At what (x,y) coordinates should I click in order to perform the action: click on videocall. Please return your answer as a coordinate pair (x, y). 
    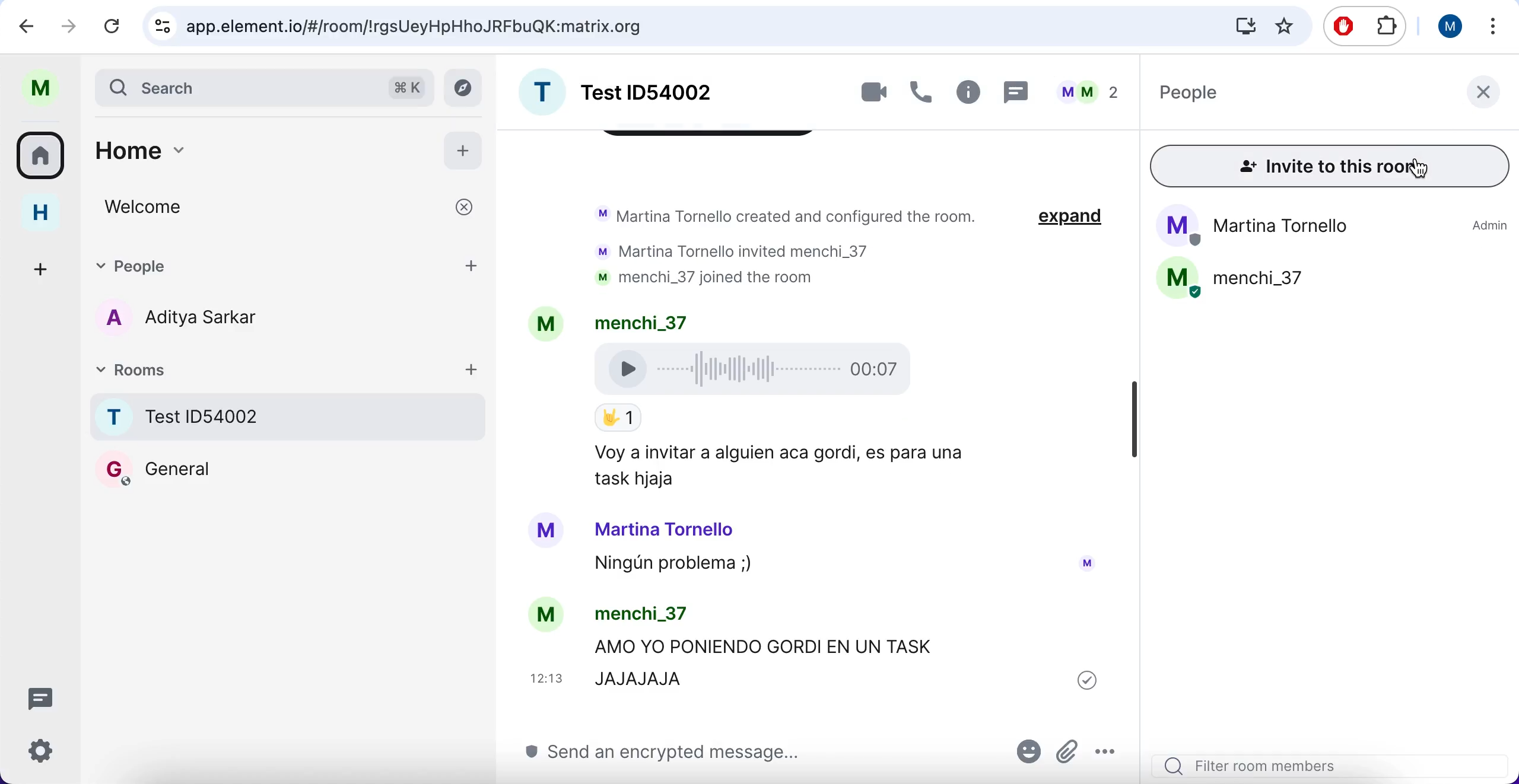
    Looking at the image, I should click on (869, 93).